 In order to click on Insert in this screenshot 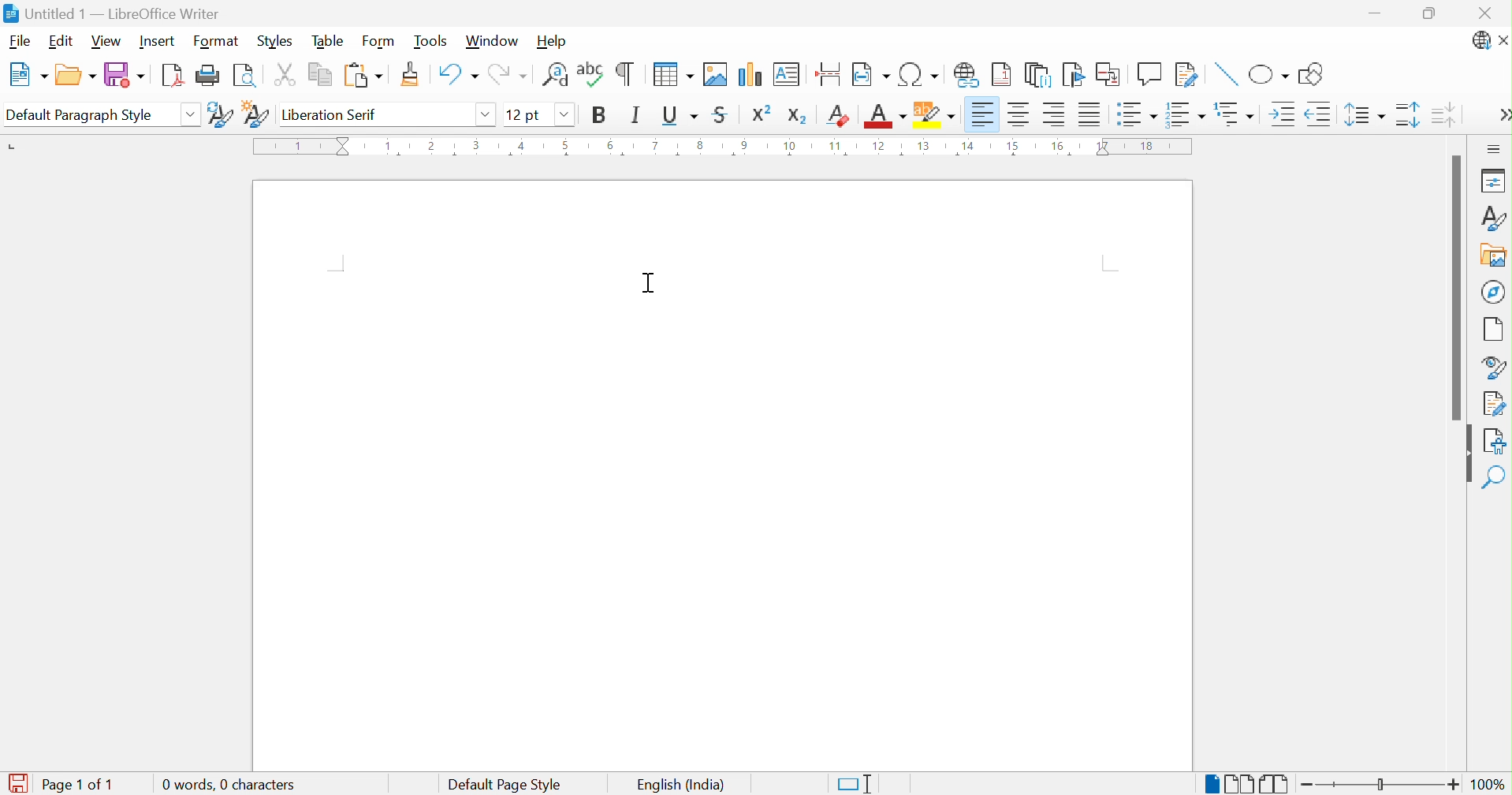, I will do `click(157, 39)`.